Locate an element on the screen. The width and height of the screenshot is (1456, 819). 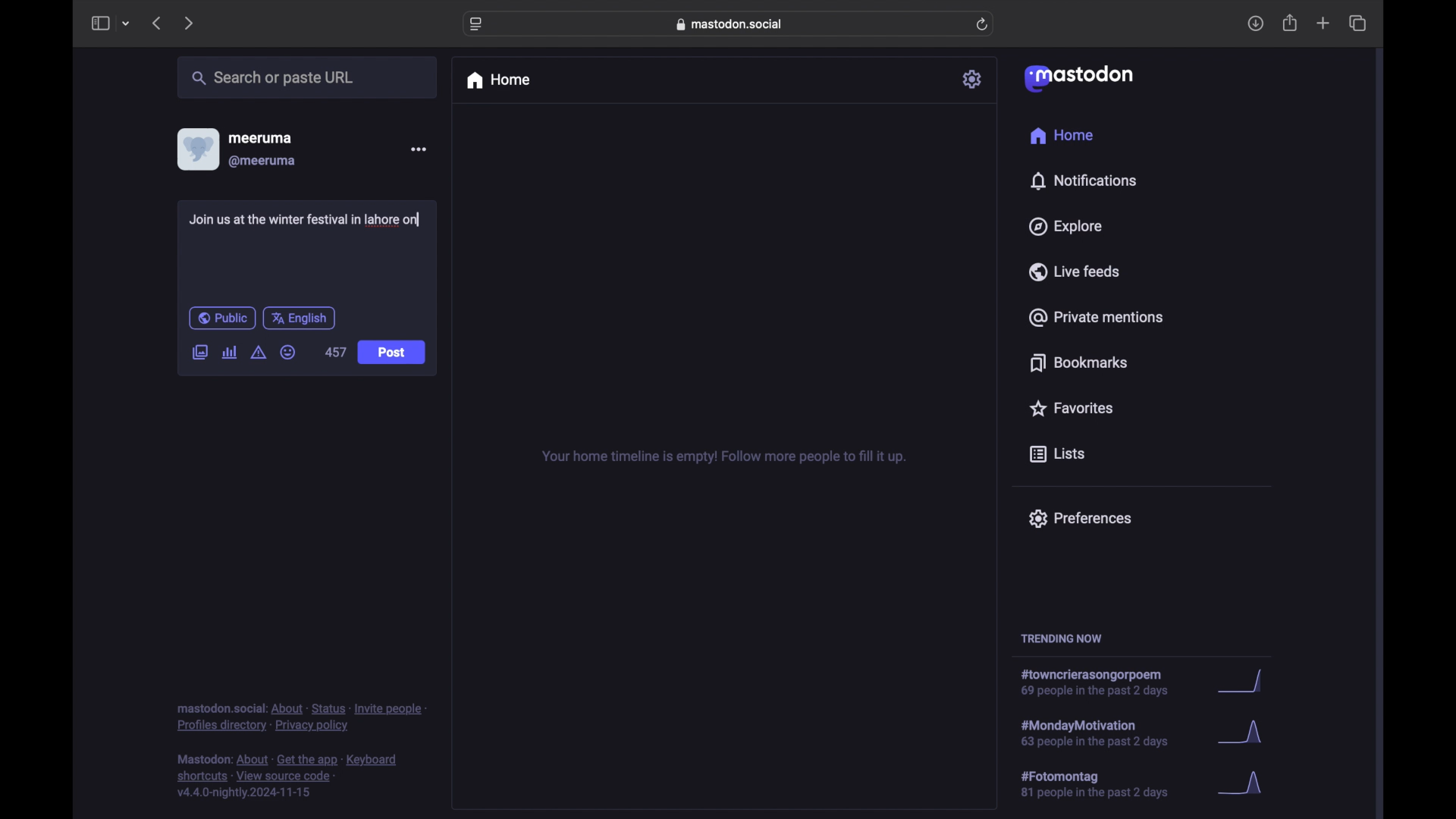
graph is located at coordinates (1244, 682).